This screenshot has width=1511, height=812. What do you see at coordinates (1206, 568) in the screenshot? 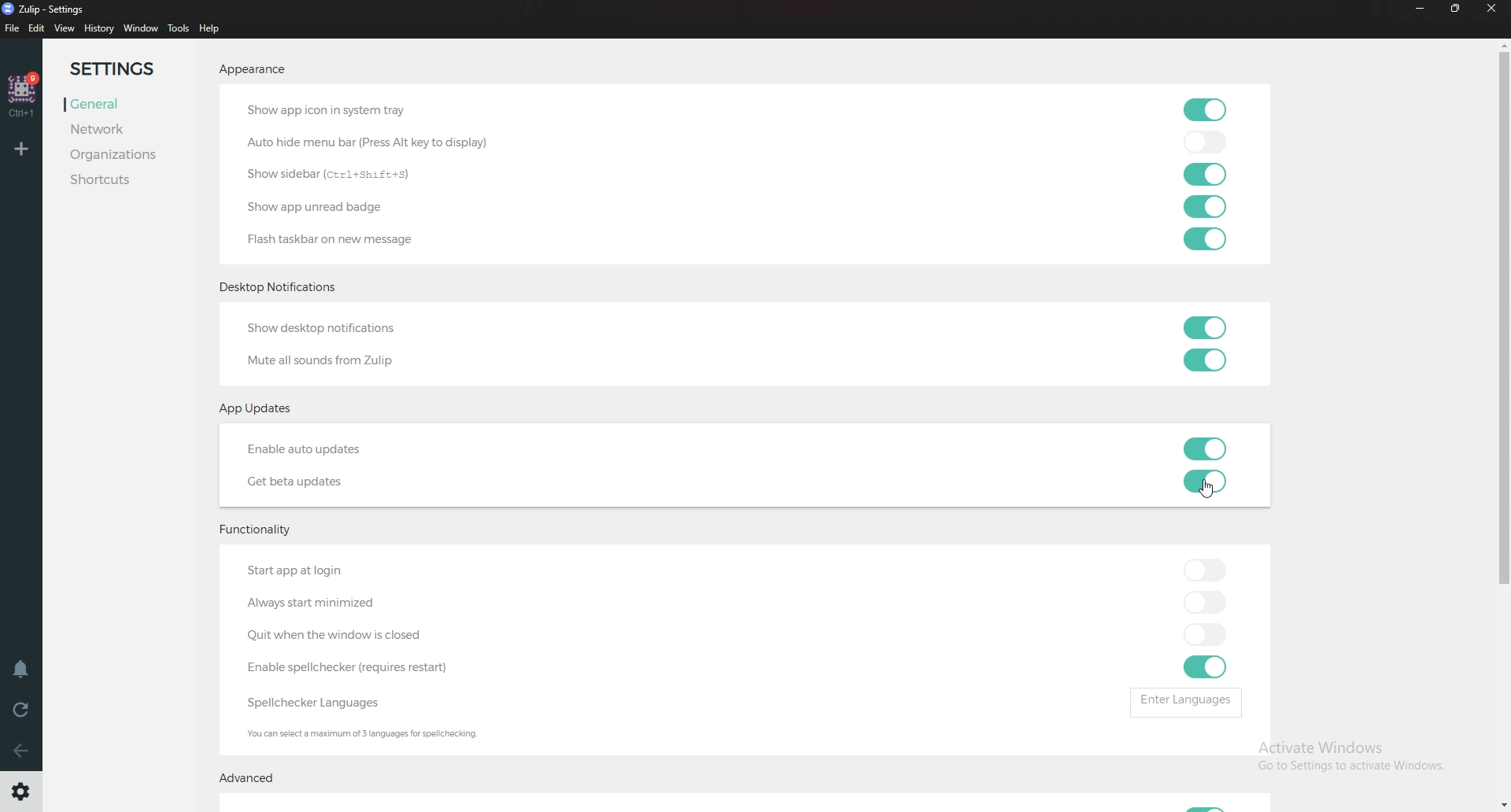
I see `toggle` at bounding box center [1206, 568].